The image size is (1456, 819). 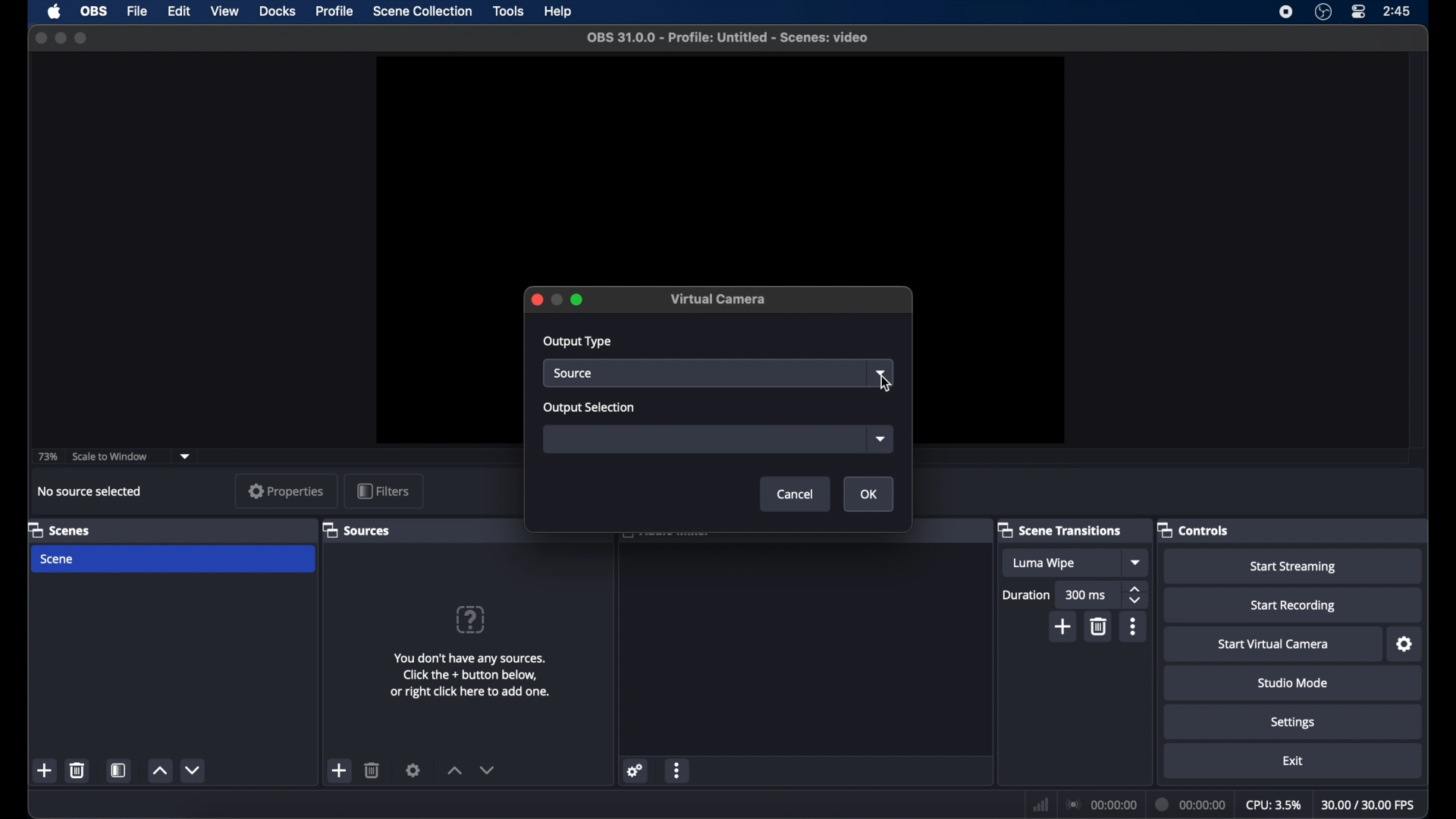 I want to click on add, so click(x=45, y=770).